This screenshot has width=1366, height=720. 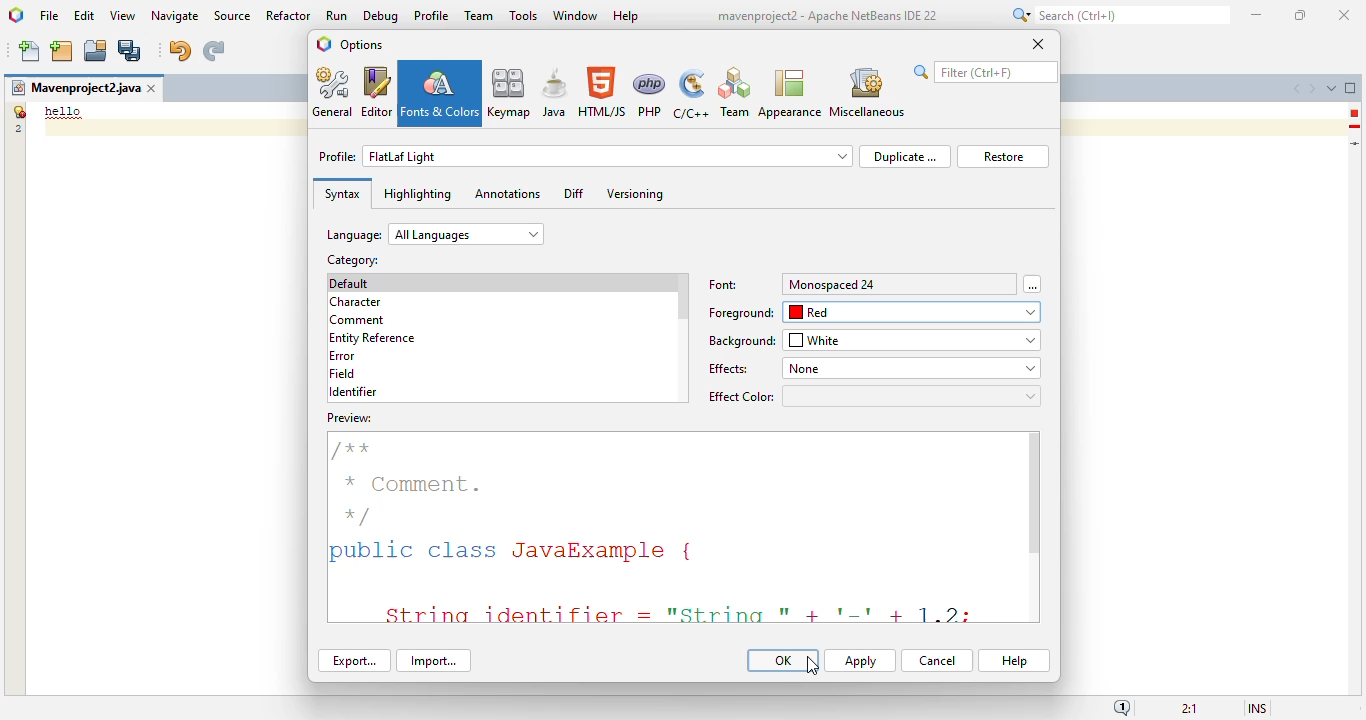 I want to click on error, so click(x=342, y=356).